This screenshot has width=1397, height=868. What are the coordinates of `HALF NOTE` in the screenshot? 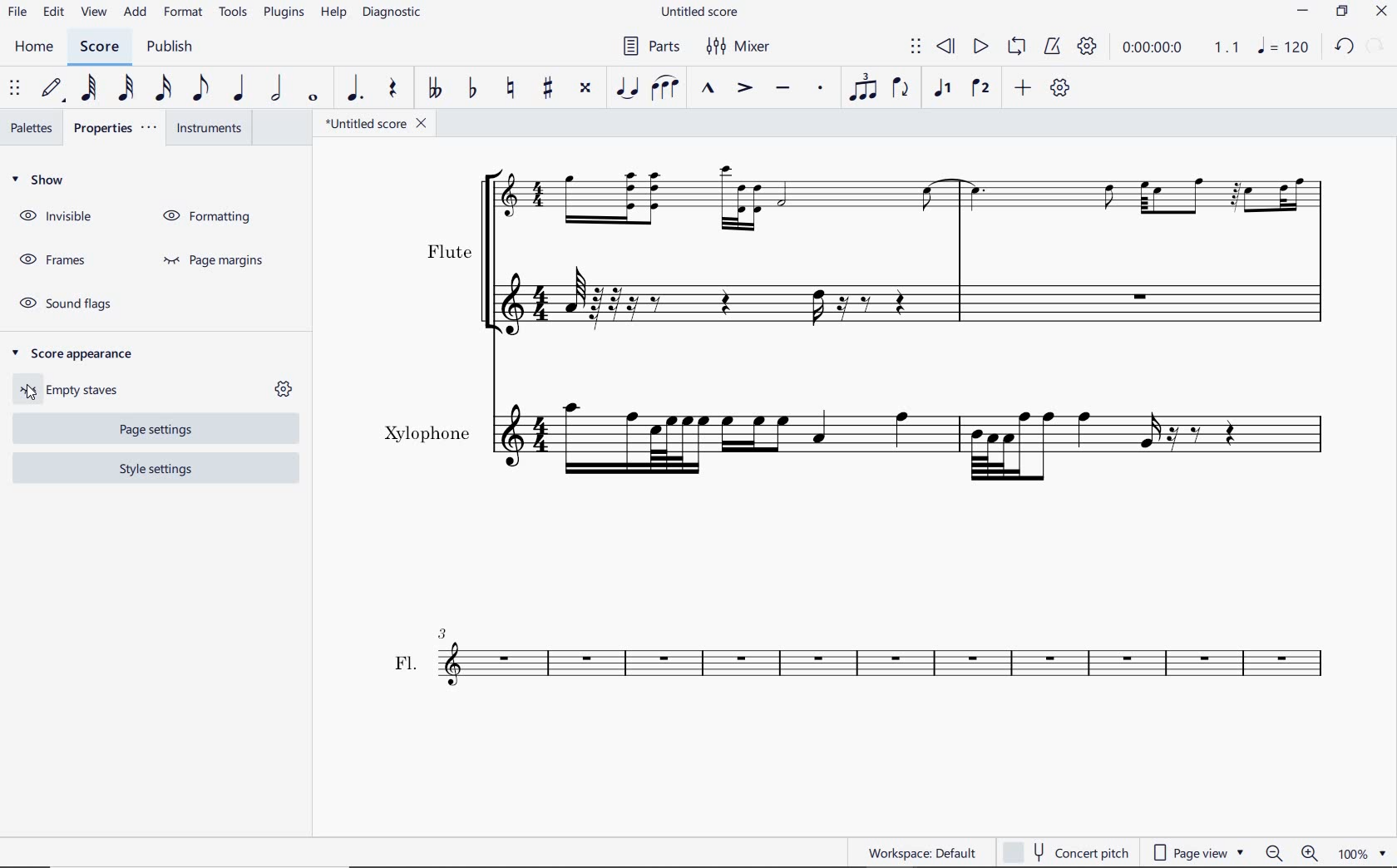 It's located at (279, 89).